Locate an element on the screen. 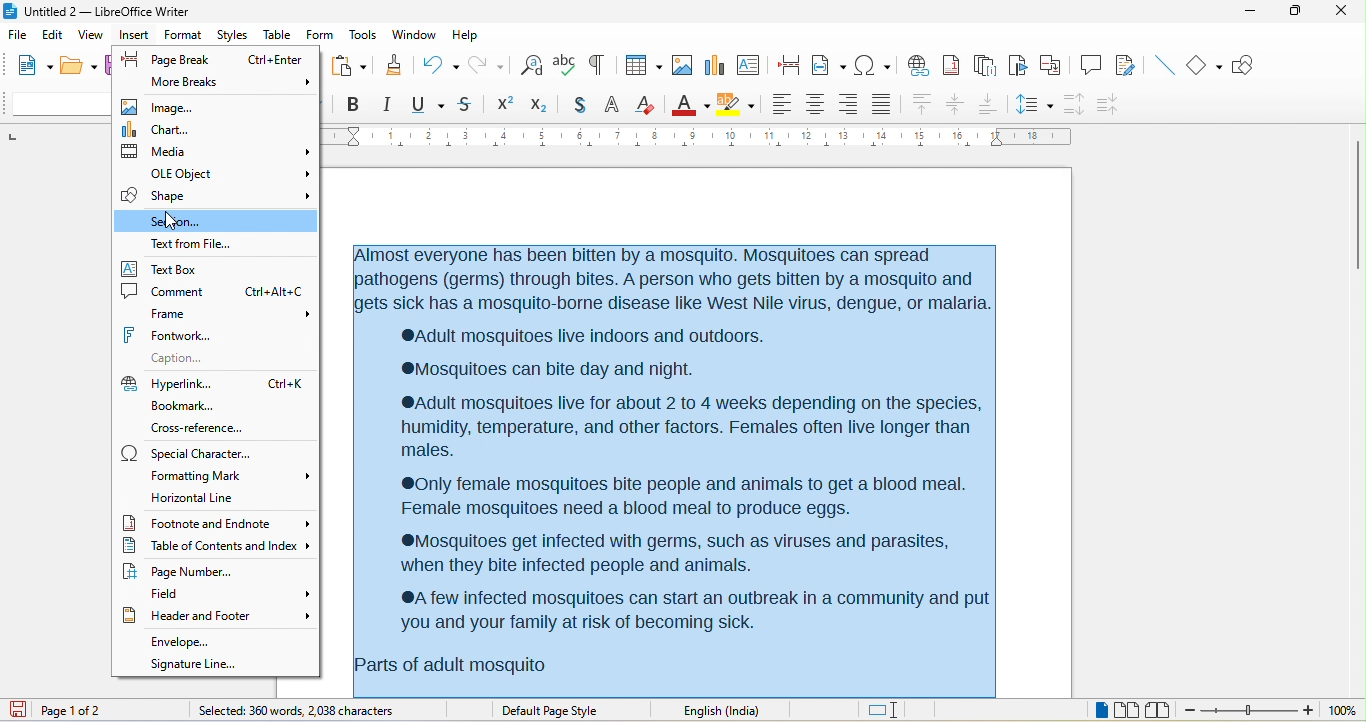  360 words,2038 character is located at coordinates (295, 712).